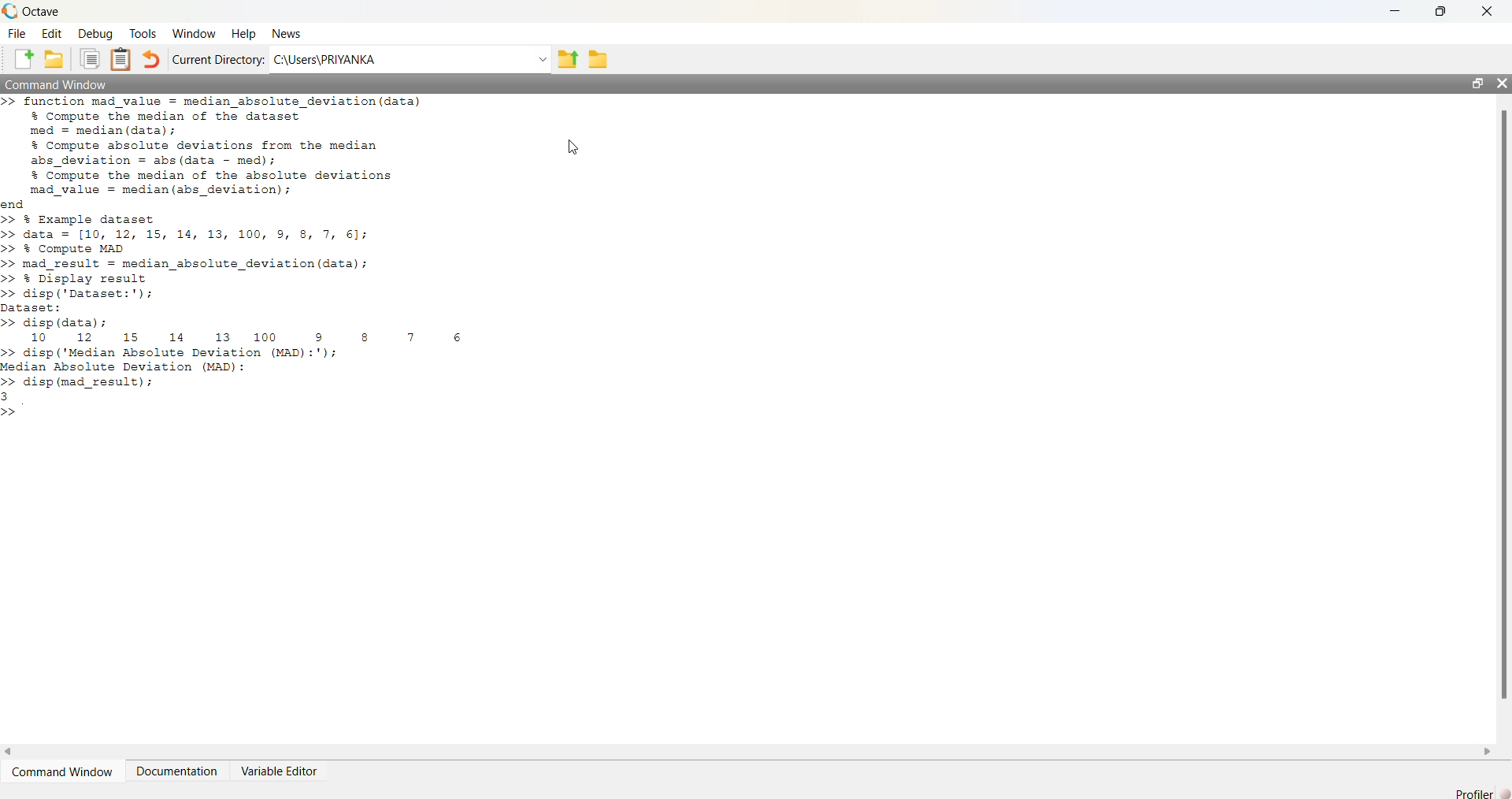 Image resolution: width=1512 pixels, height=799 pixels. Describe the element at coordinates (95, 33) in the screenshot. I see `Debug` at that location.